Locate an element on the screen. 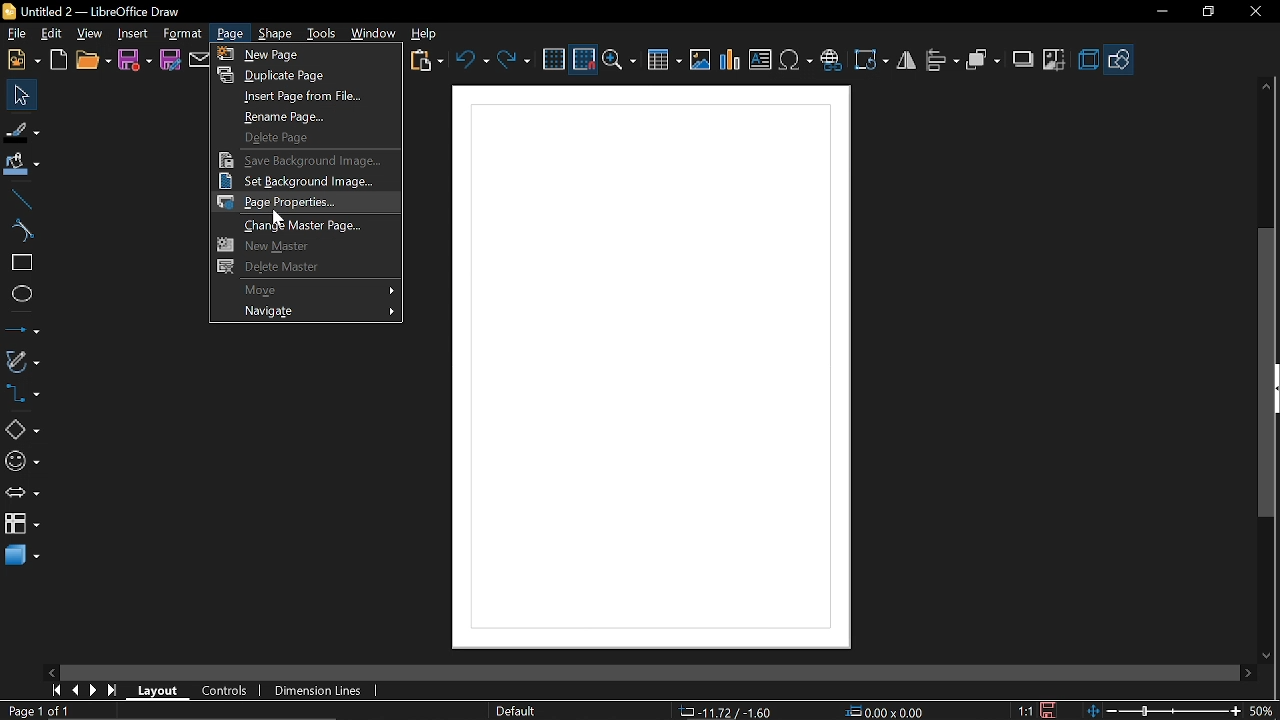 Image resolution: width=1280 pixels, height=720 pixels. Window is located at coordinates (374, 35).